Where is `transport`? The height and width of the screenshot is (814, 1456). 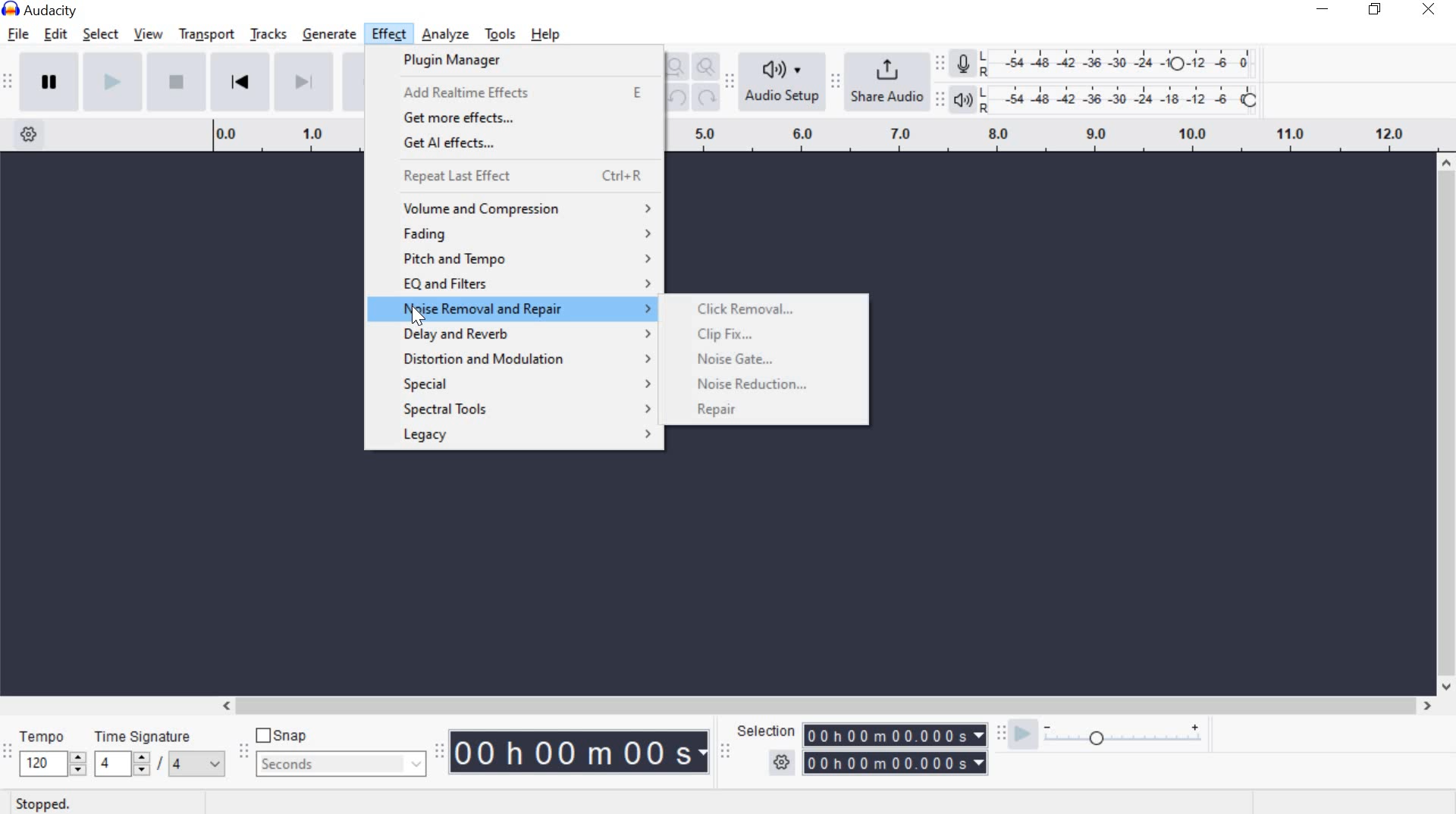 transport is located at coordinates (209, 36).